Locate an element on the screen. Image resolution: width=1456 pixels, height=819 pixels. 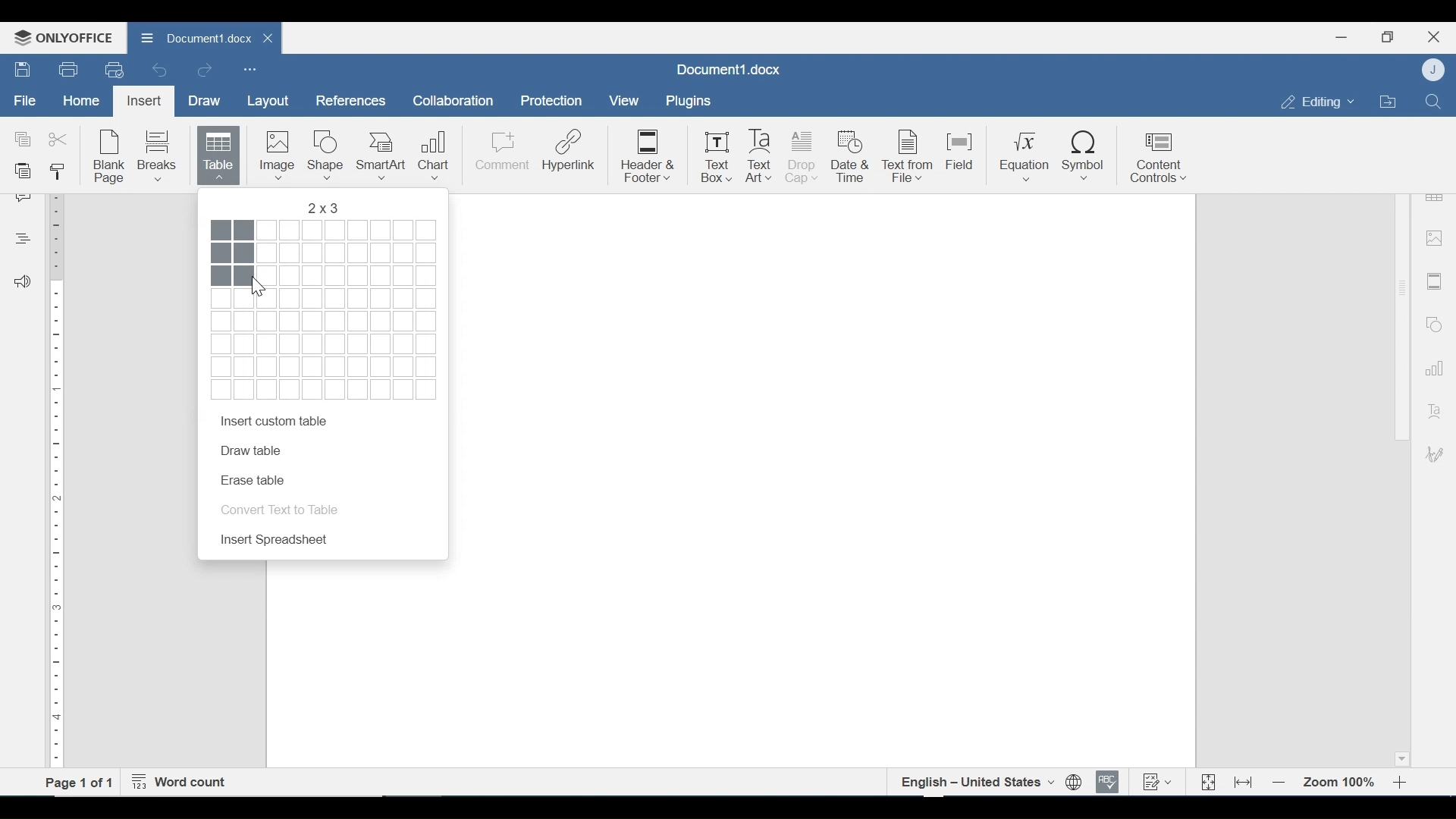
SmartArt is located at coordinates (381, 156).